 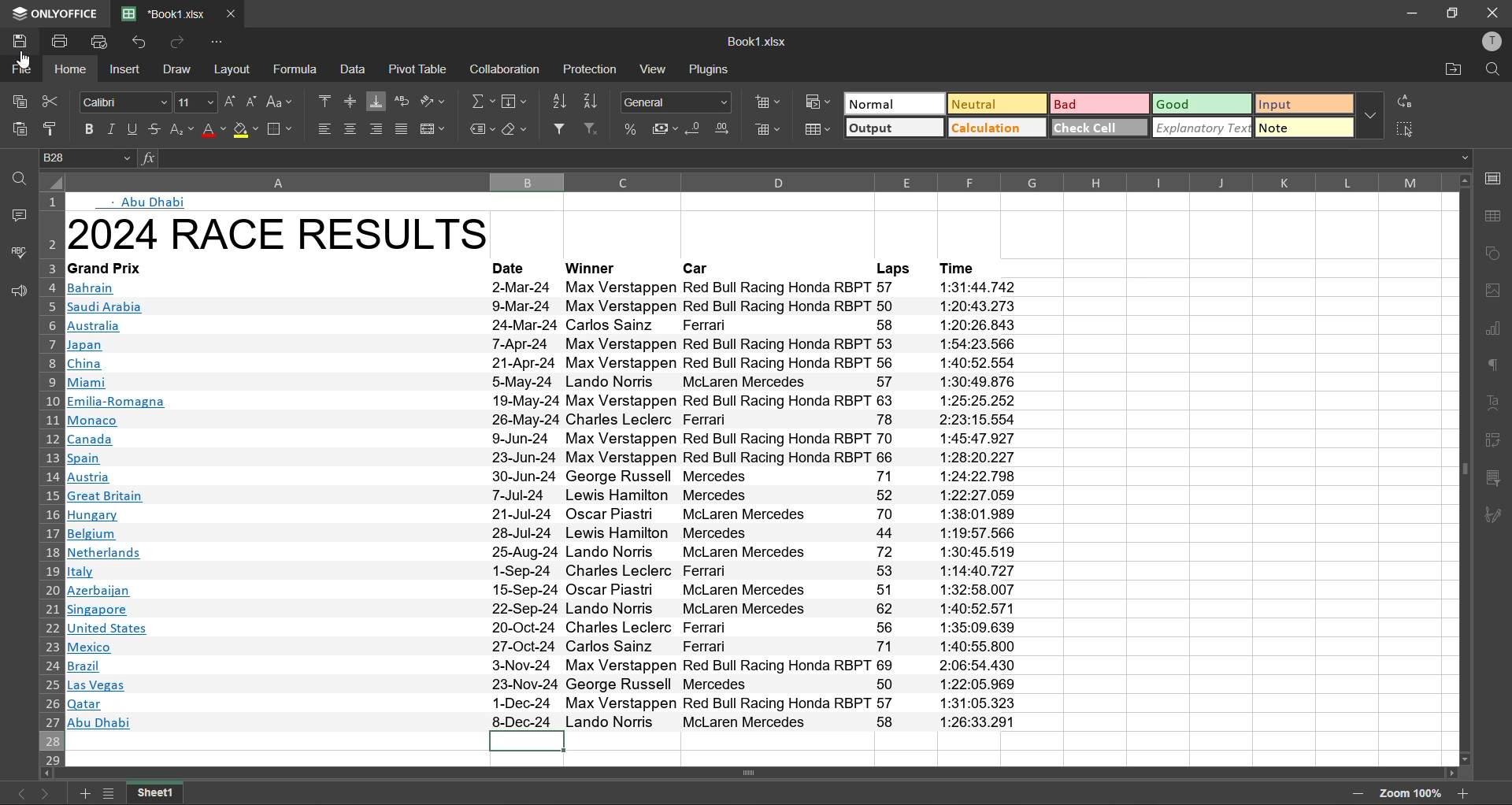 What do you see at coordinates (821, 159) in the screenshot?
I see `formula bar` at bounding box center [821, 159].